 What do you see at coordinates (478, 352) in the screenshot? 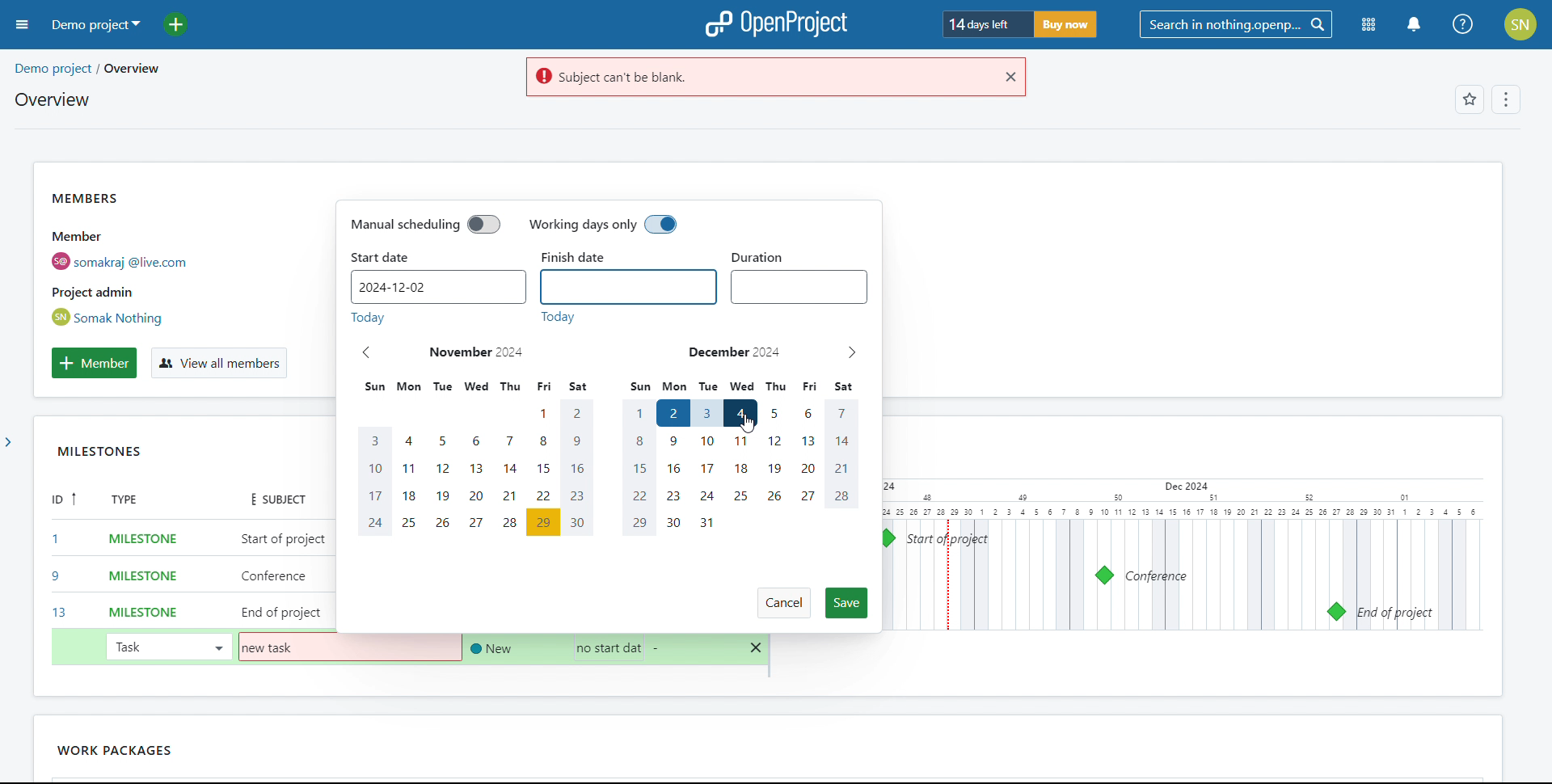
I see `november 2024` at bounding box center [478, 352].